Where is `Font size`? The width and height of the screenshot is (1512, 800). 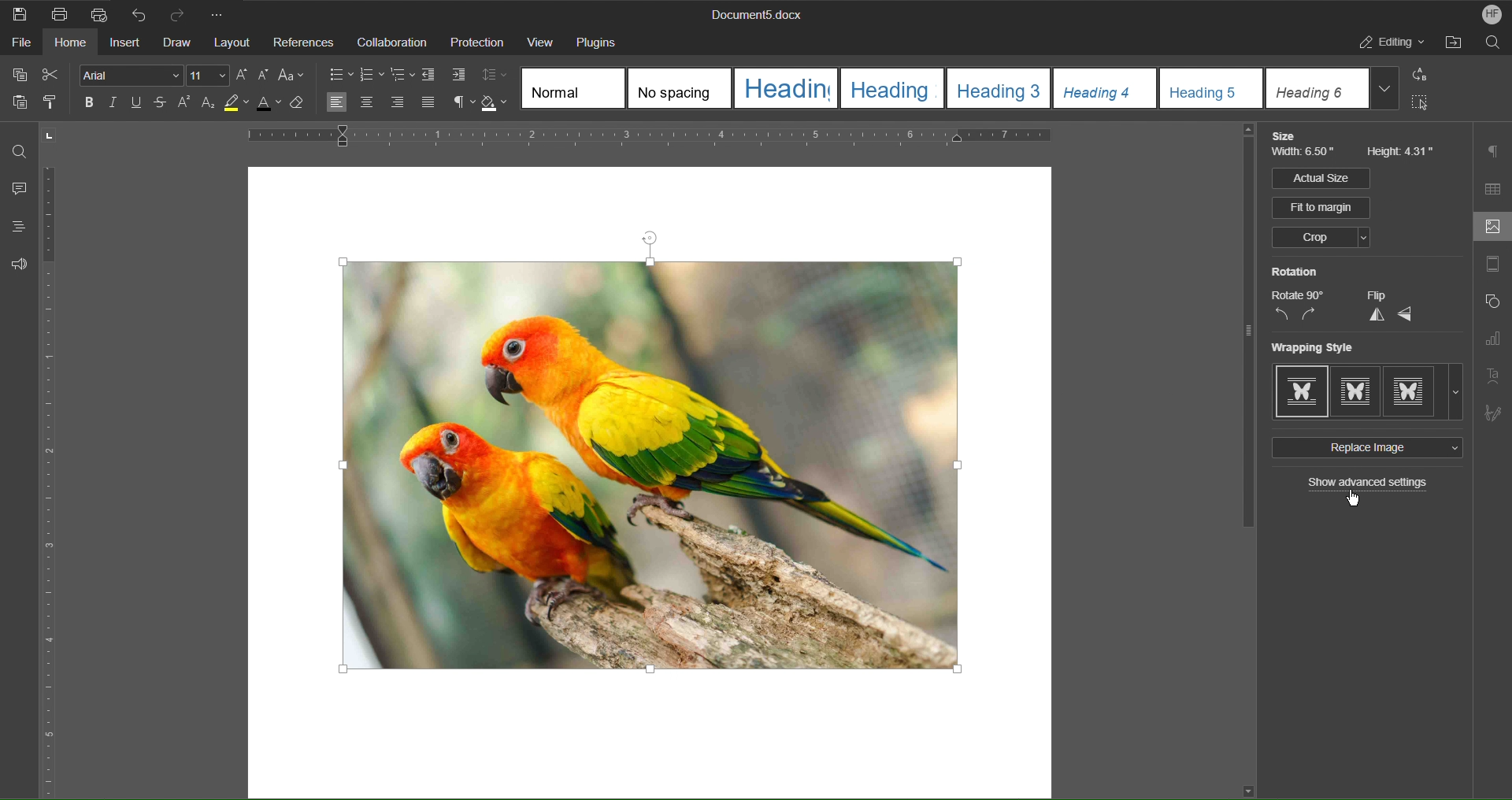
Font size is located at coordinates (209, 76).